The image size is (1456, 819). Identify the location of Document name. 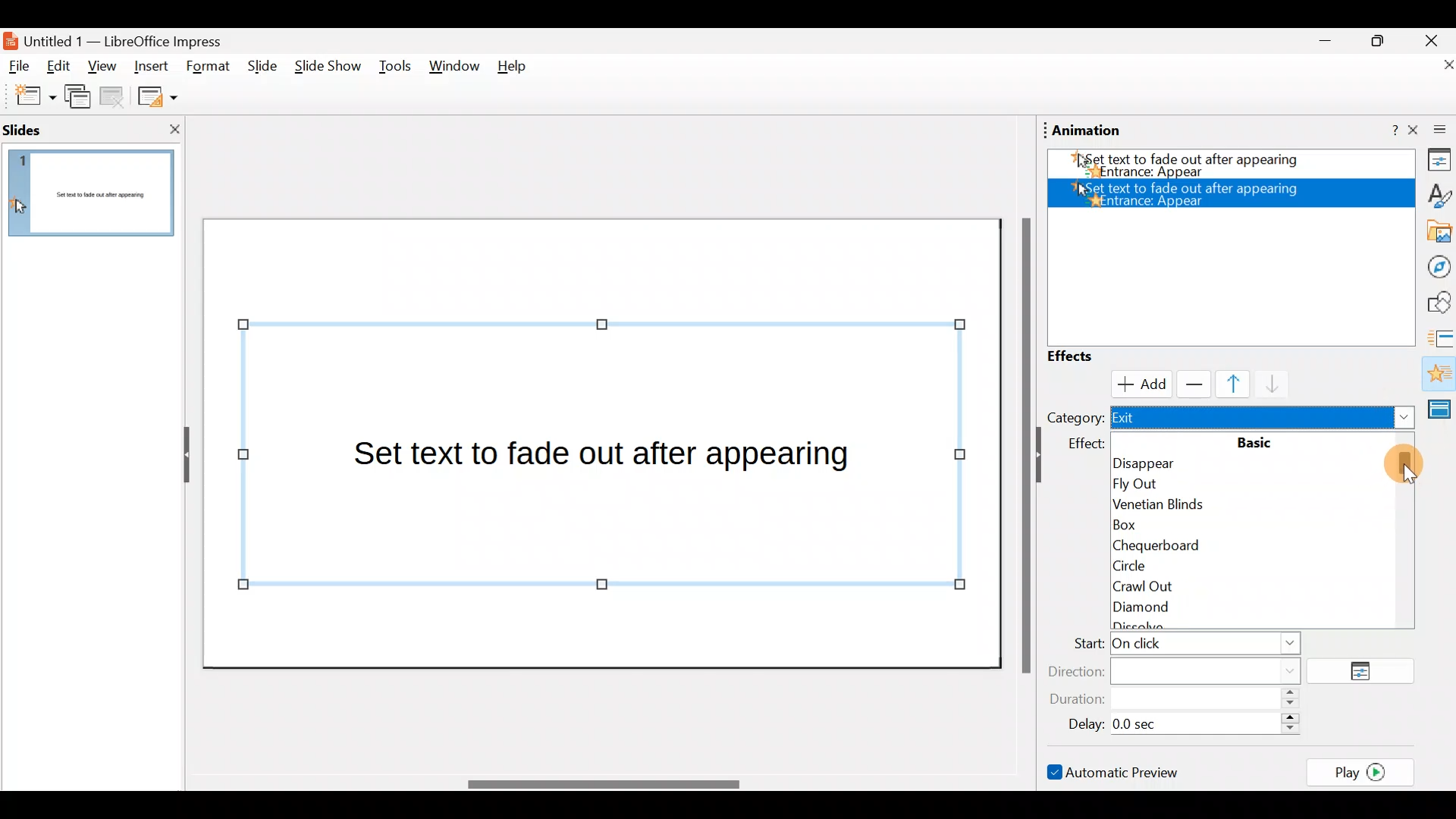
(124, 39).